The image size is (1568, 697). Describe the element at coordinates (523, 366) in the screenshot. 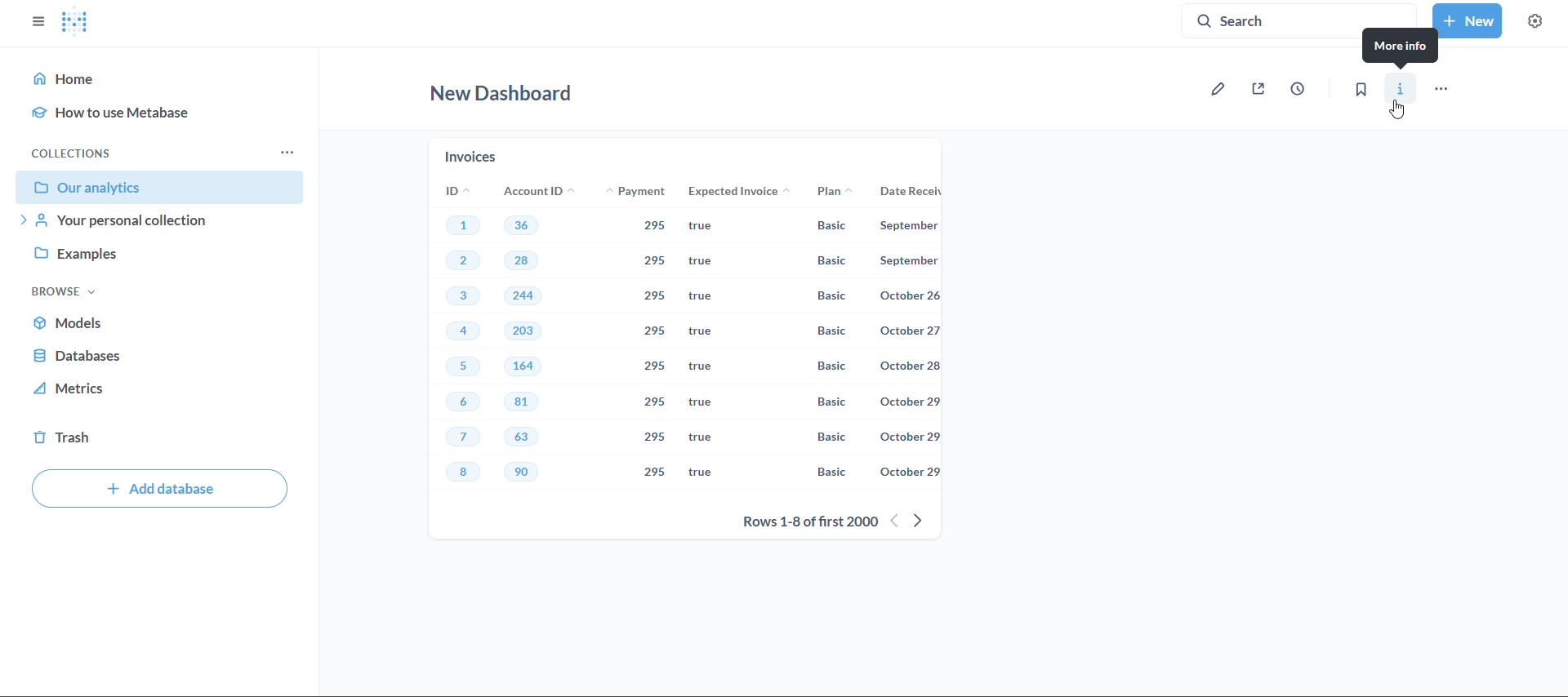

I see `164` at that location.